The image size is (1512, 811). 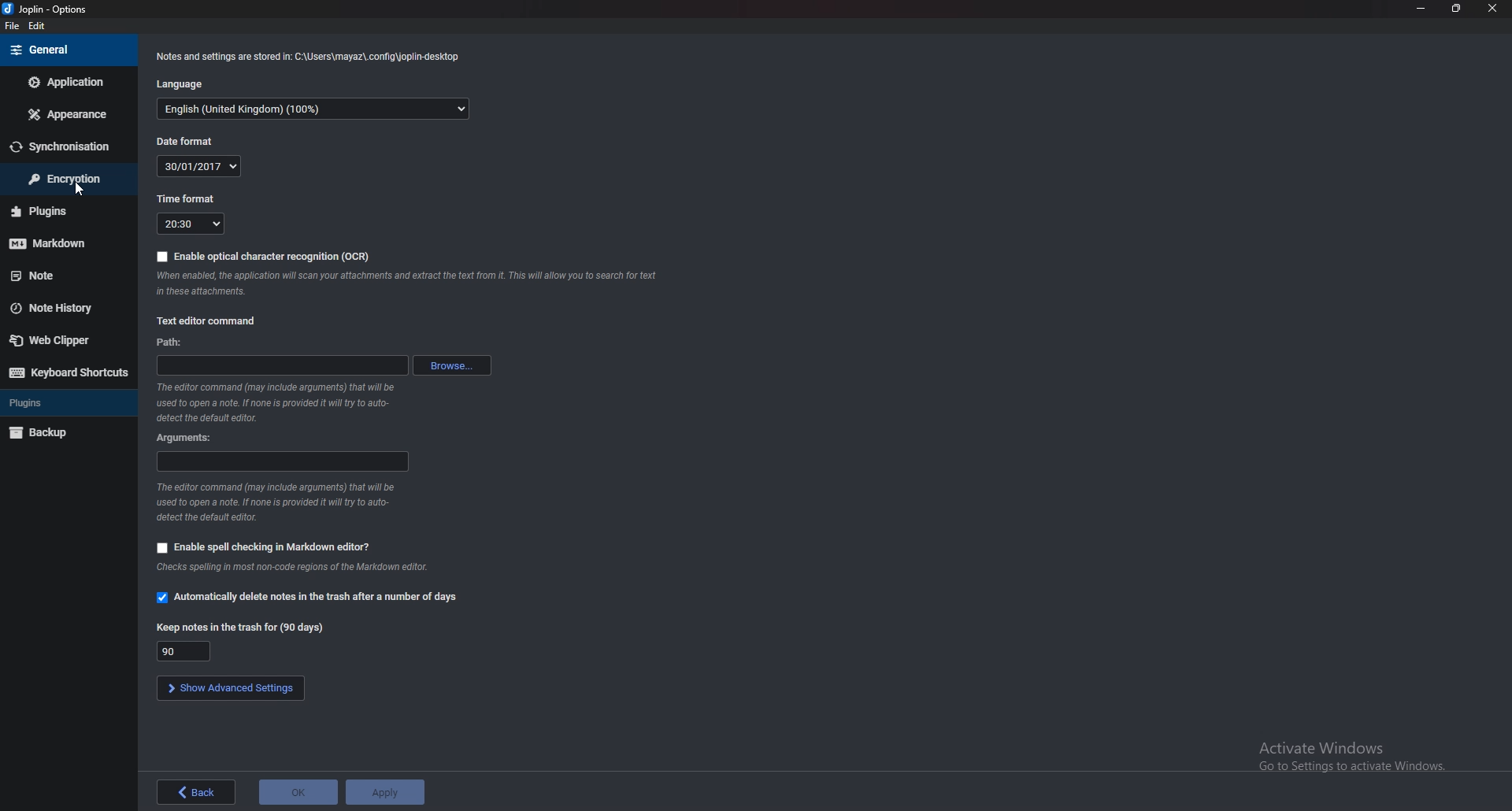 What do you see at coordinates (315, 106) in the screenshot?
I see `language` at bounding box center [315, 106].